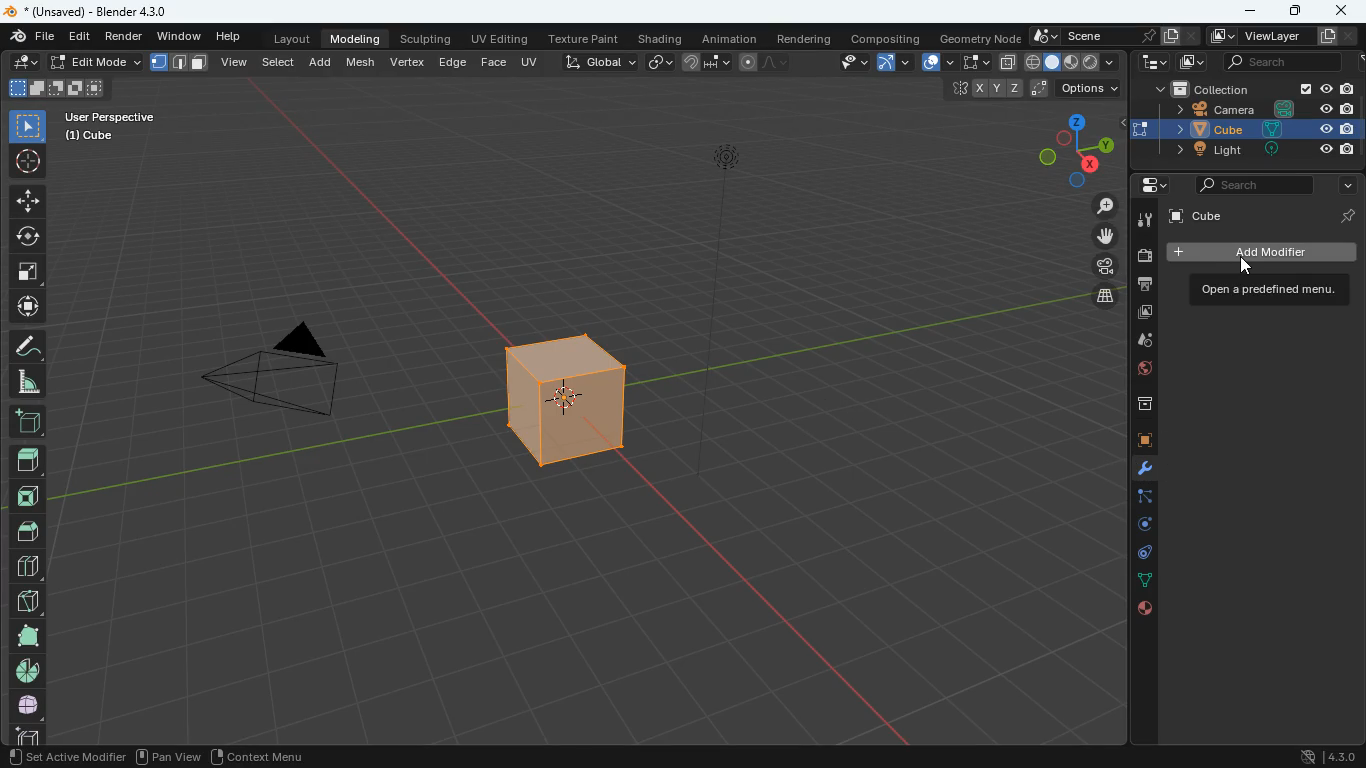 This screenshot has width=1366, height=768. Describe the element at coordinates (1291, 63) in the screenshot. I see `search` at that location.